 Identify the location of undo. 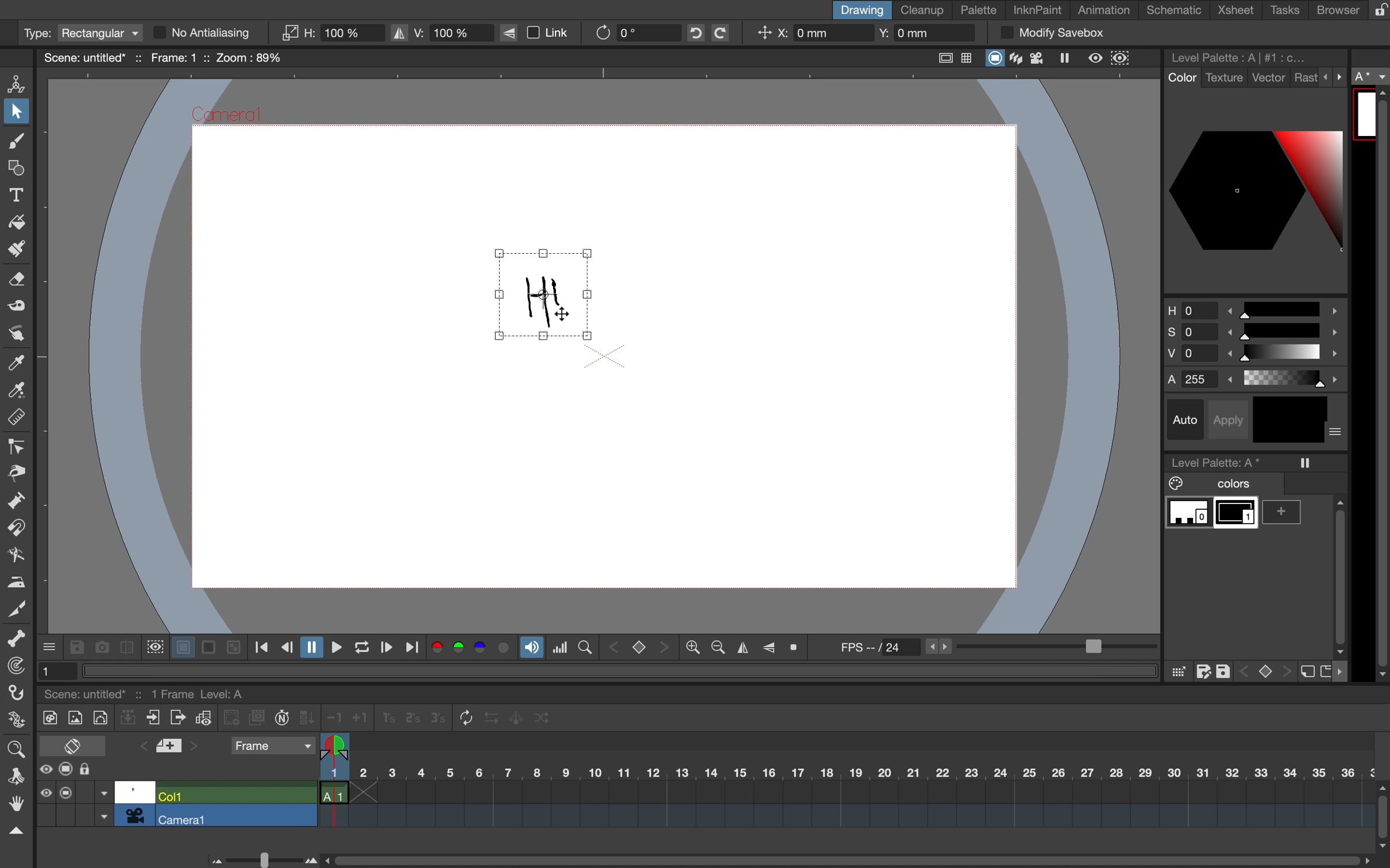
(692, 33).